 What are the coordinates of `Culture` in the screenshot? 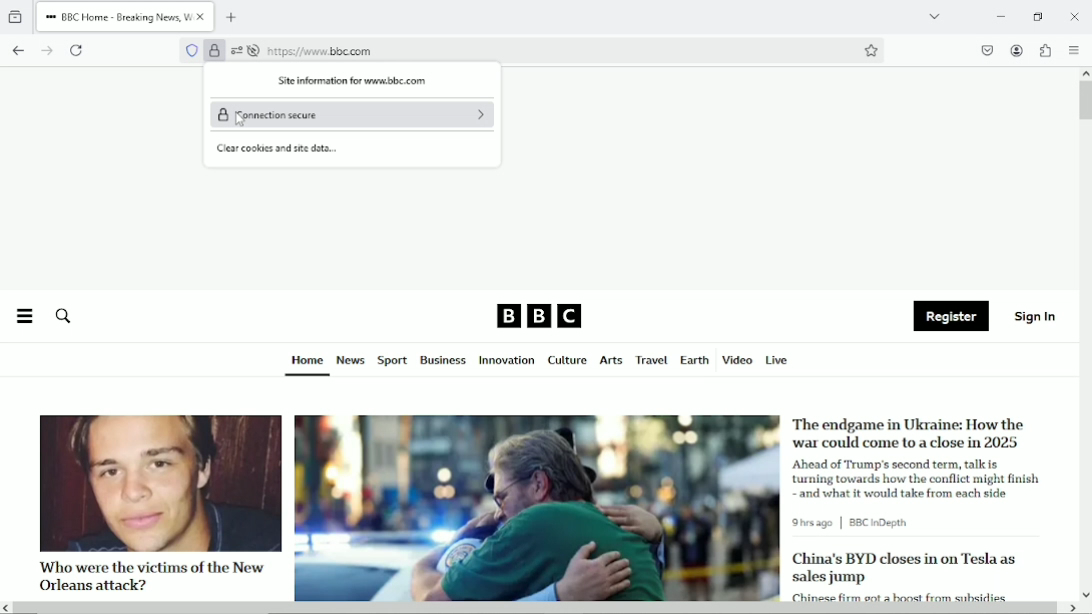 It's located at (567, 361).